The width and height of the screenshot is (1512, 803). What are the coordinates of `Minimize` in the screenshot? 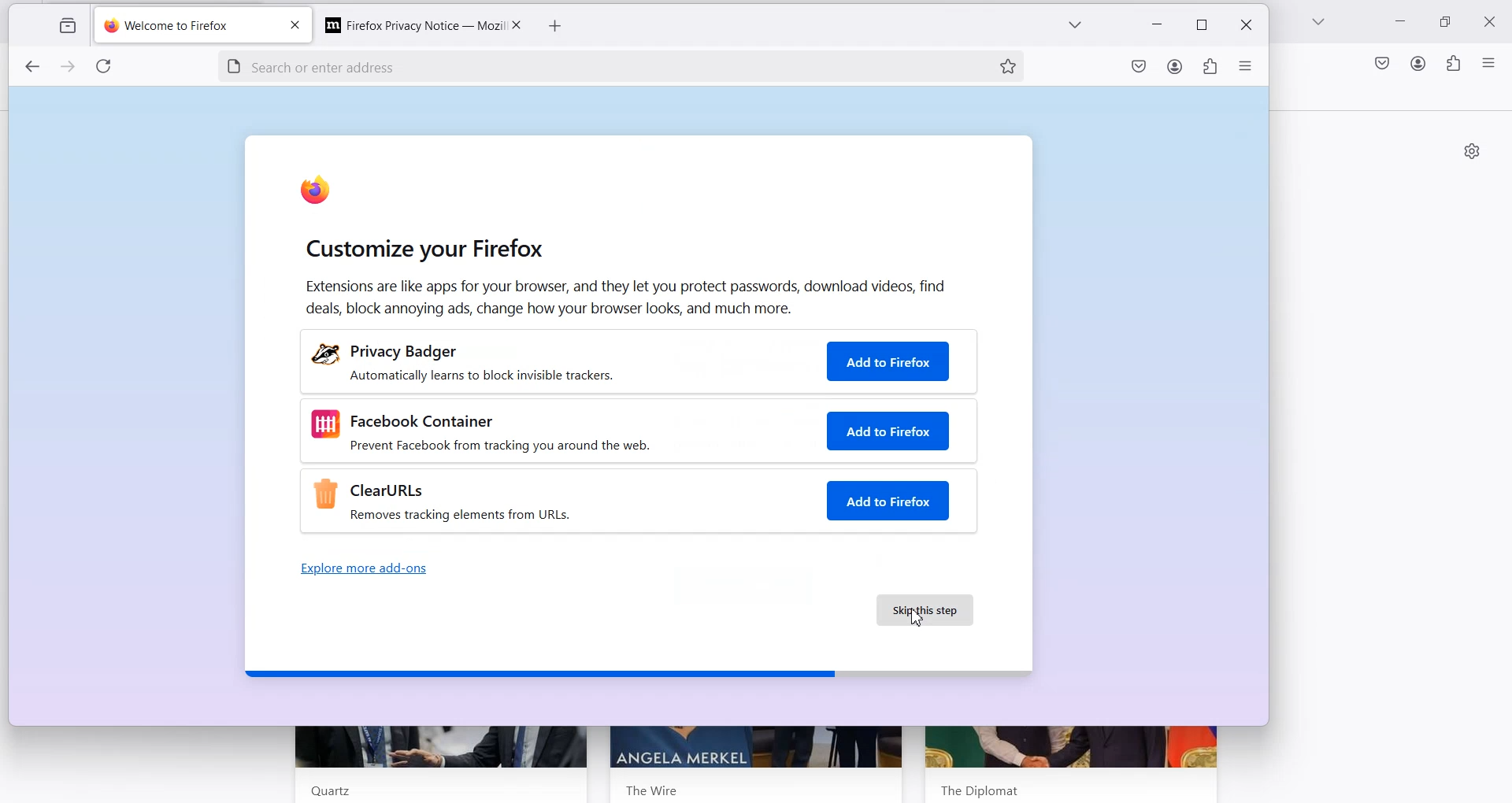 It's located at (1402, 24).